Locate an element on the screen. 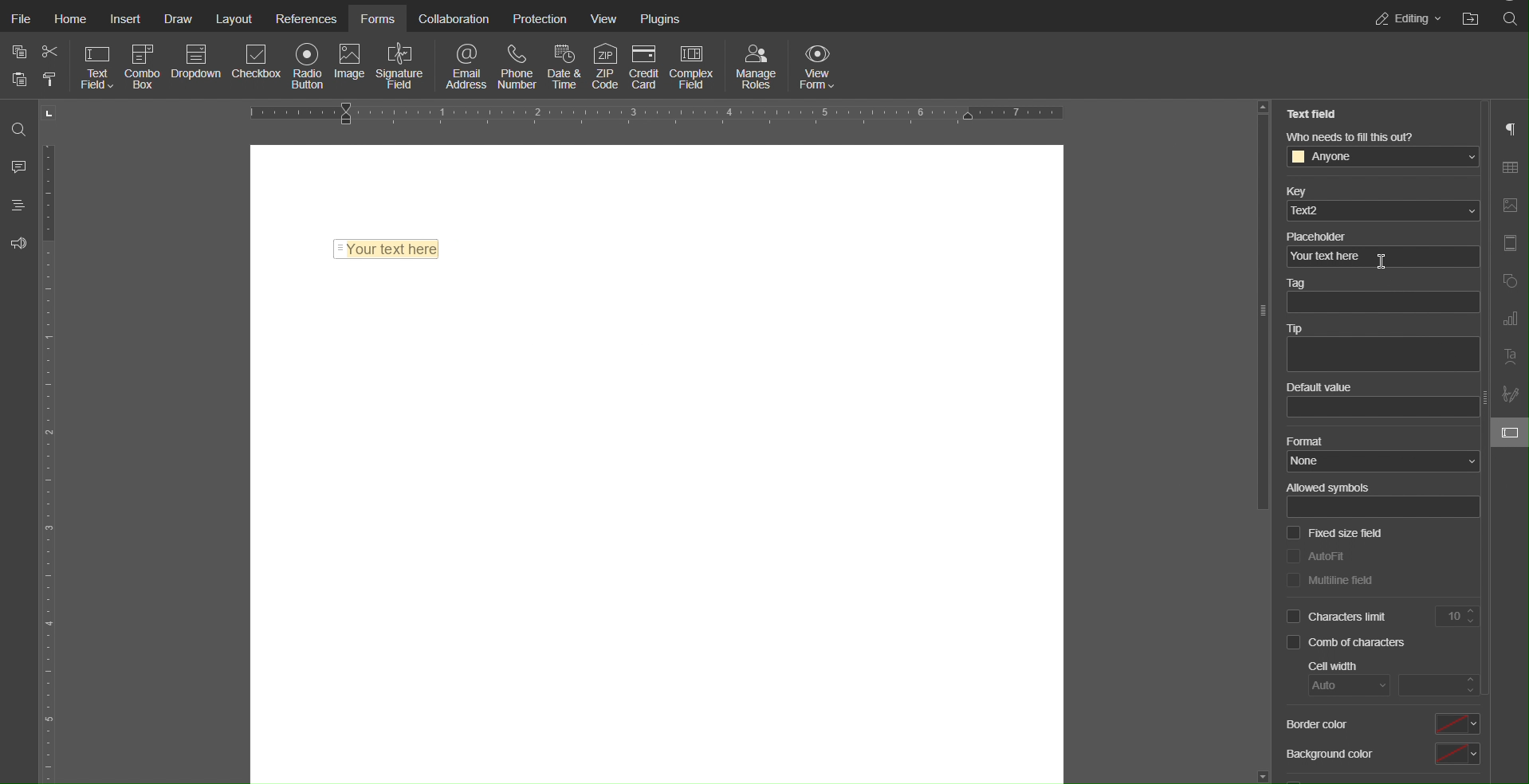  Signature is located at coordinates (1508, 394).